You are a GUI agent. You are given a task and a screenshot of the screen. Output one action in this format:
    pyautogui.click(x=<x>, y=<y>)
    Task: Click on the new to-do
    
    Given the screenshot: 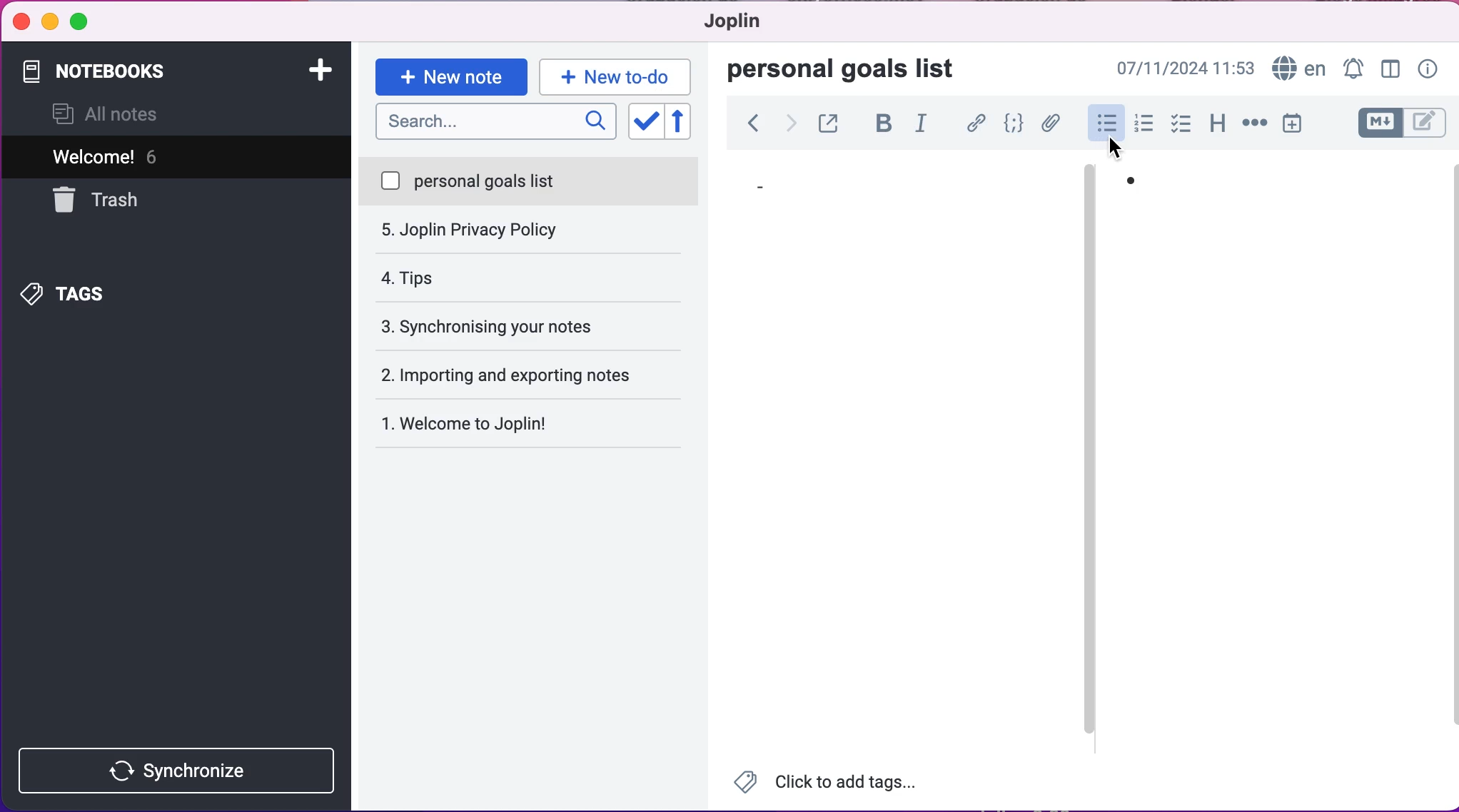 What is the action you would take?
    pyautogui.click(x=620, y=76)
    